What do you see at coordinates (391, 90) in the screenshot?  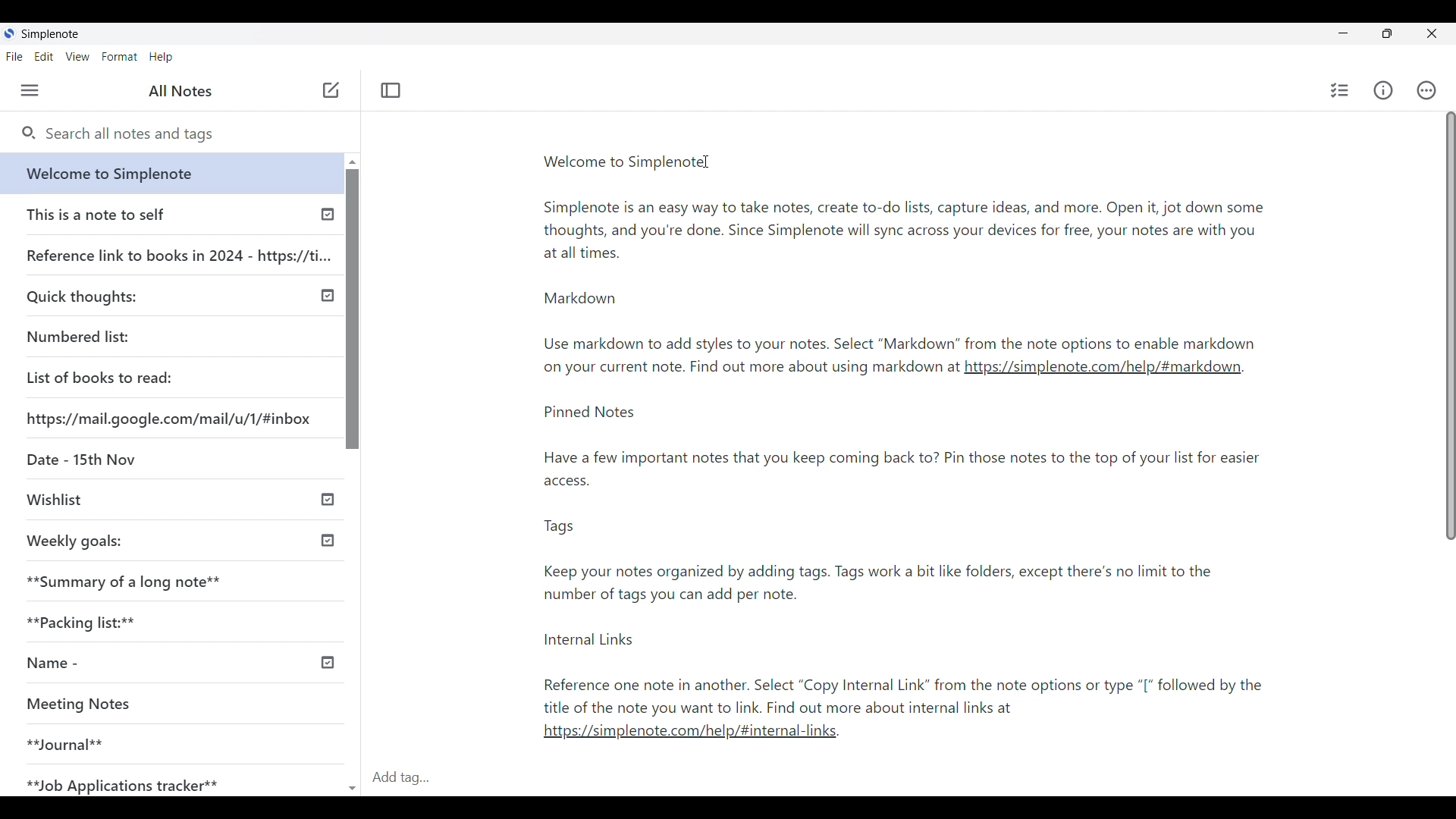 I see `Toggle focus mode` at bounding box center [391, 90].